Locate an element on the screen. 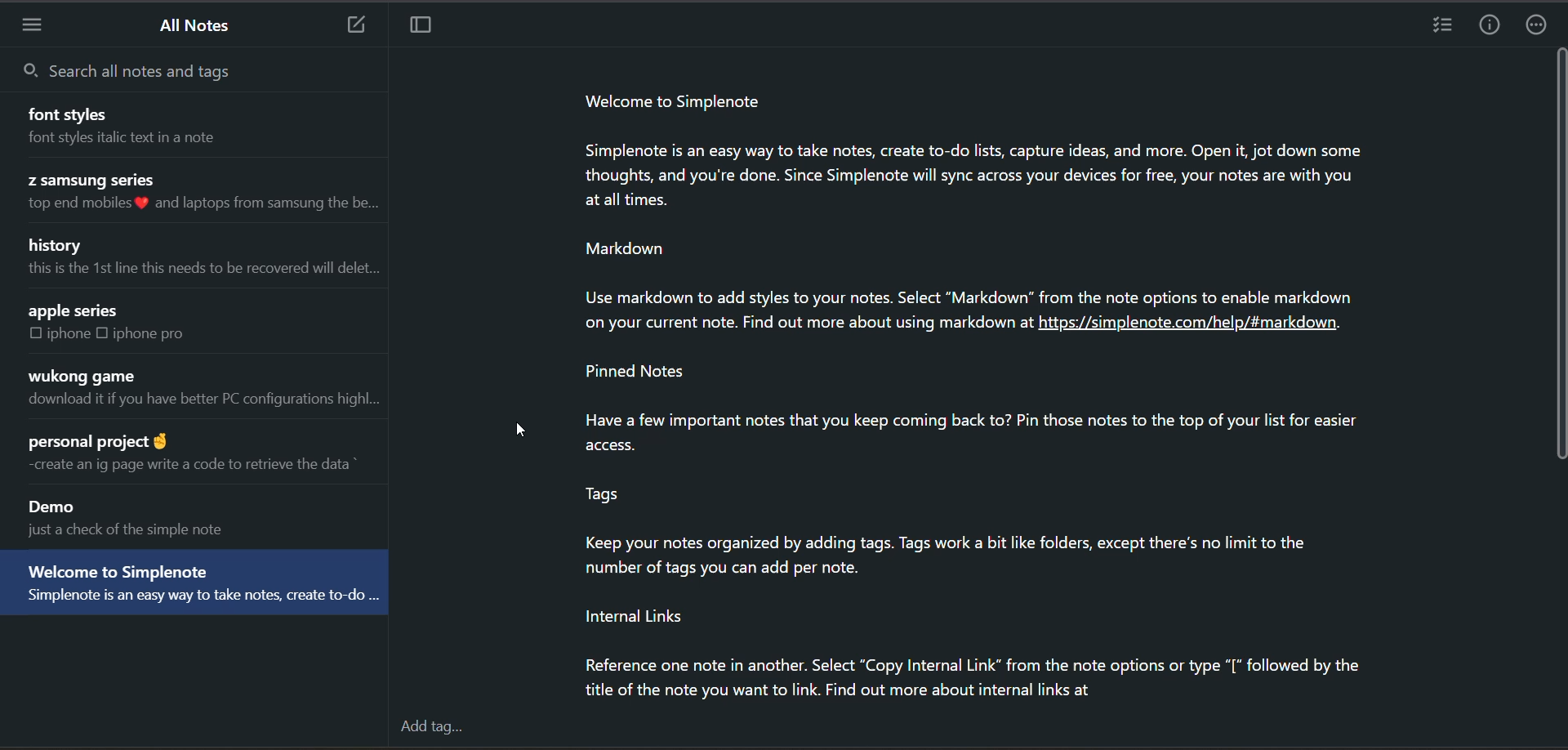 Image resolution: width=1568 pixels, height=750 pixels. personal project is located at coordinates (101, 443).